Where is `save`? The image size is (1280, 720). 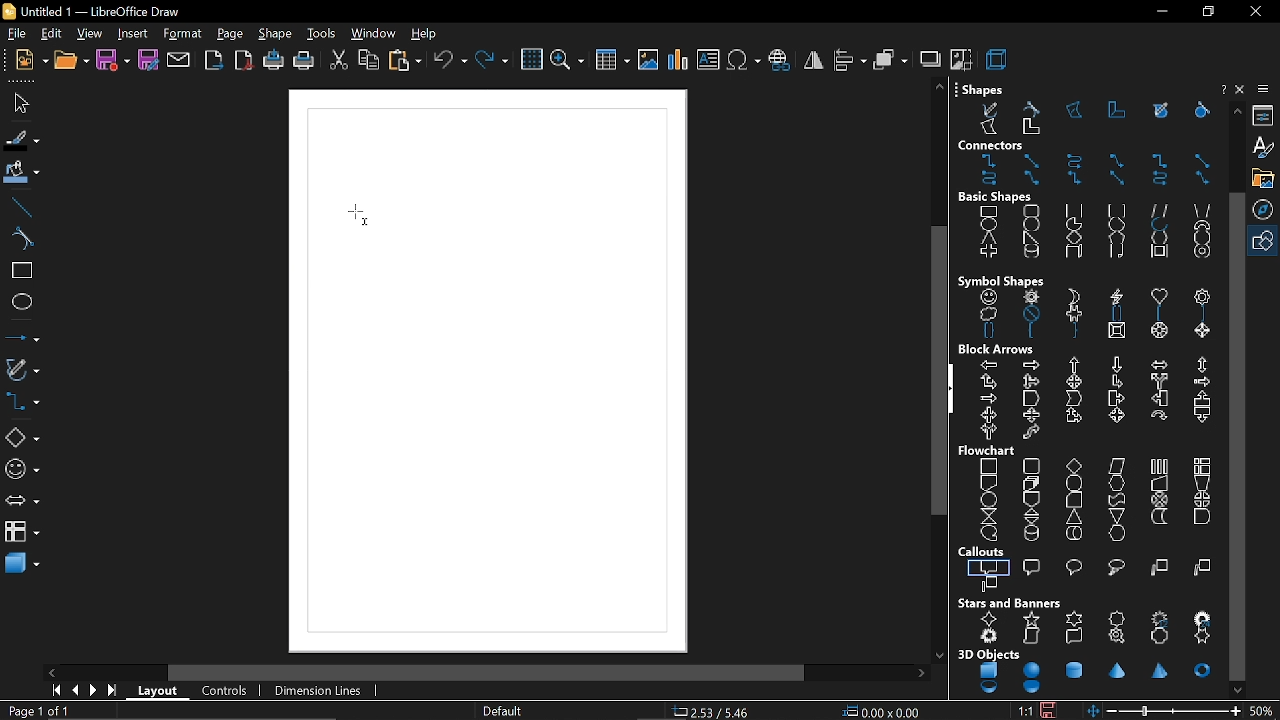
save is located at coordinates (1050, 710).